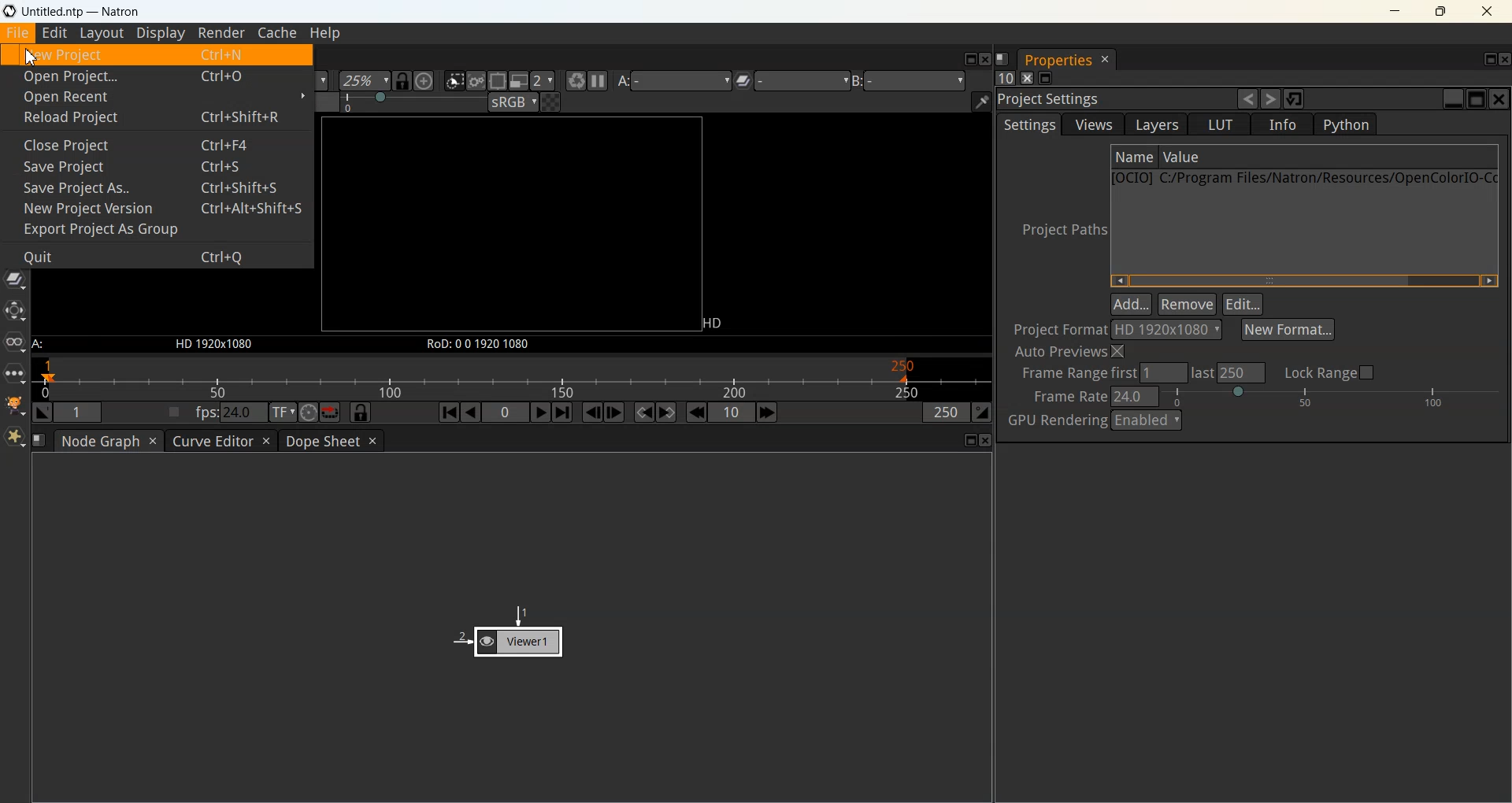 Image resolution: width=1512 pixels, height=803 pixels. Describe the element at coordinates (1283, 124) in the screenshot. I see `Info` at that location.